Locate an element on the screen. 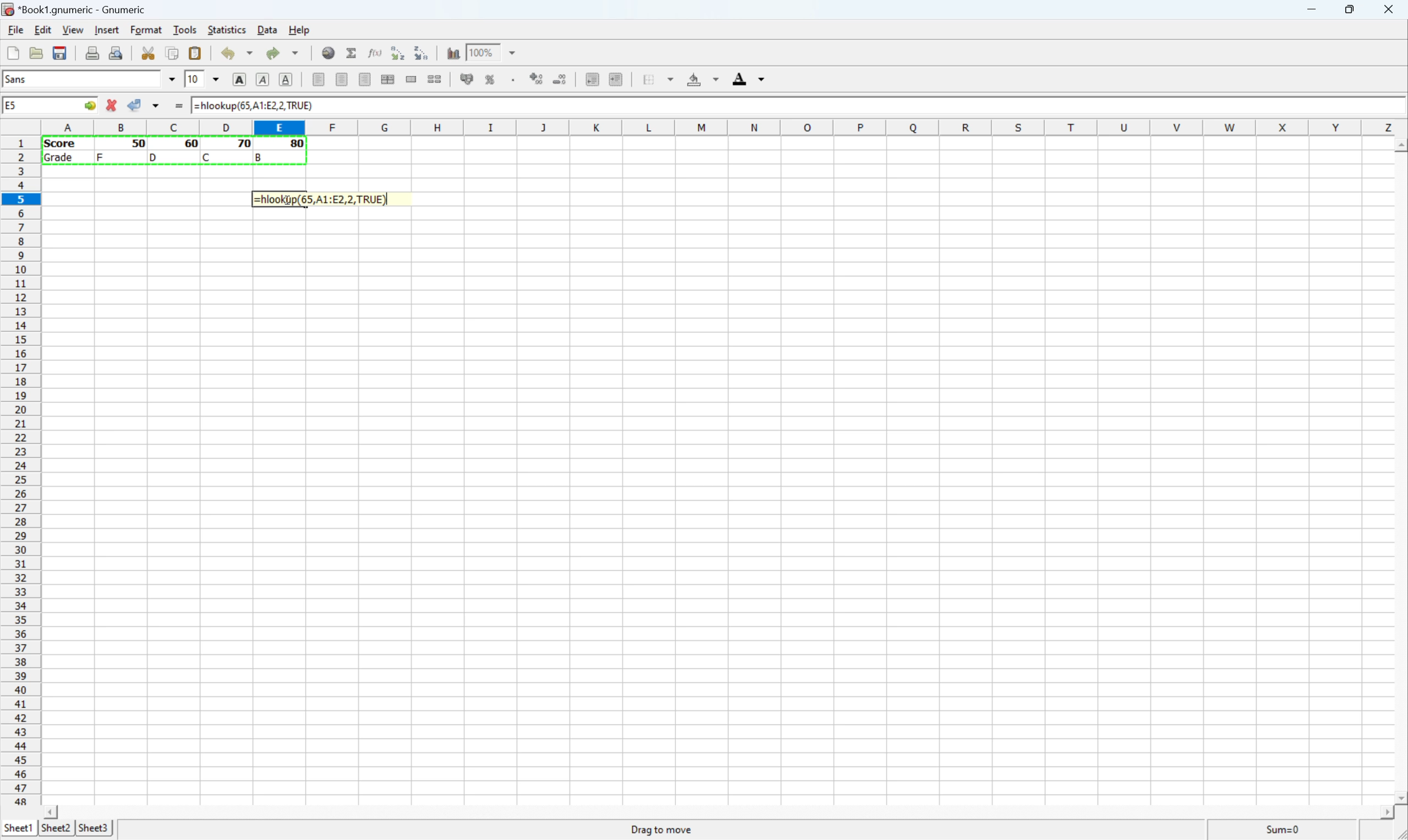 This screenshot has height=840, width=1408. Paste the clipboard is located at coordinates (199, 53).